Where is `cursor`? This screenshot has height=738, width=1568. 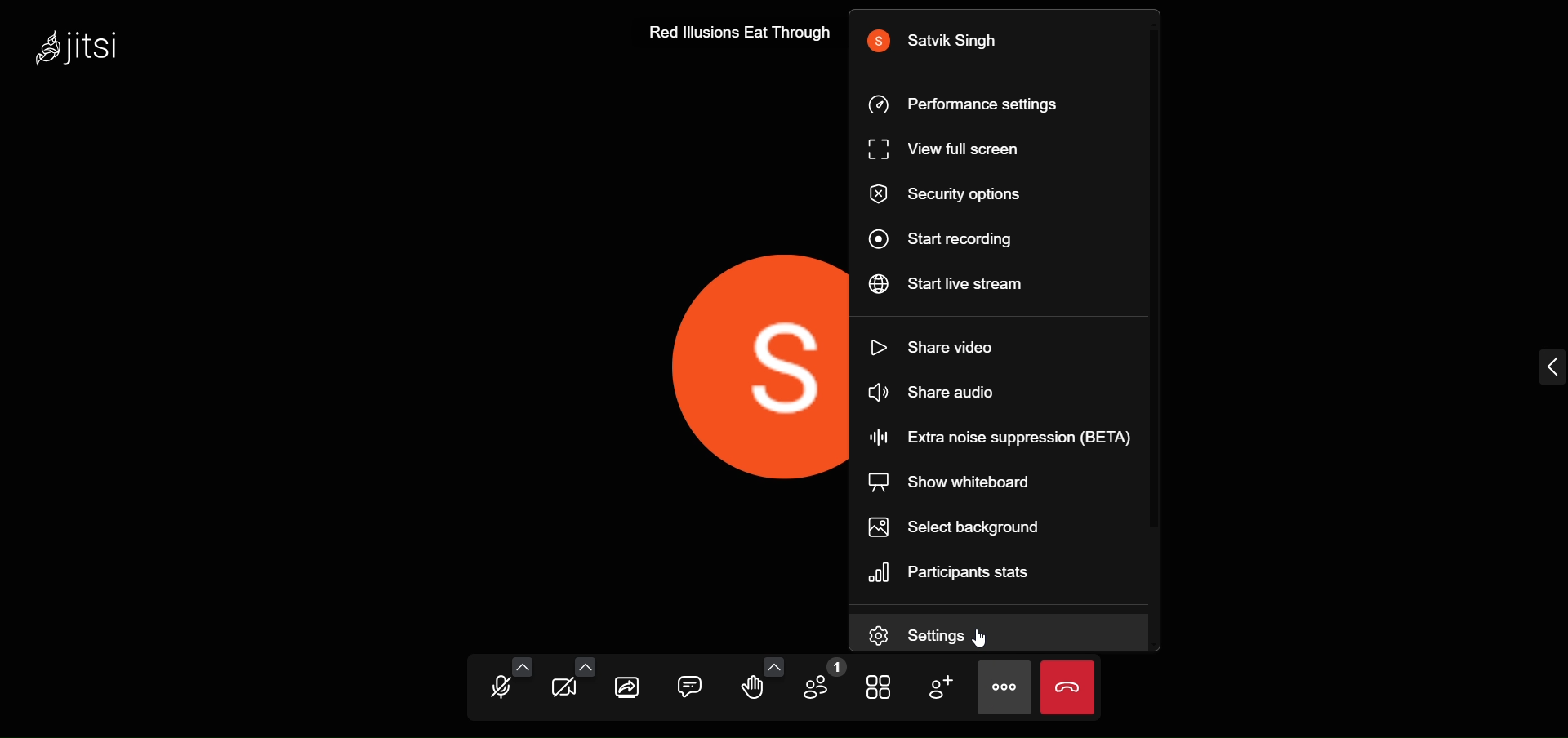 cursor is located at coordinates (981, 640).